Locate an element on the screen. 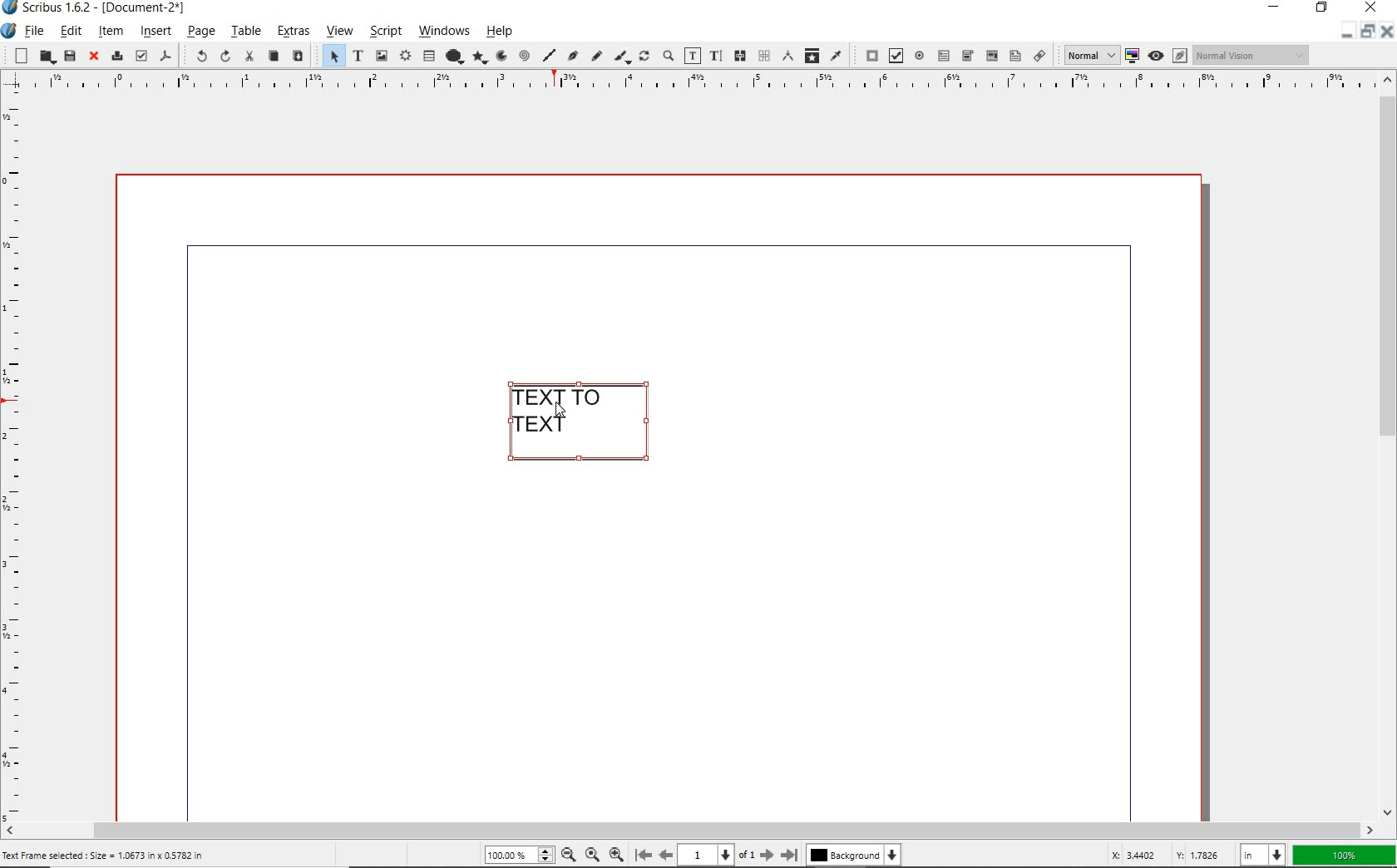 This screenshot has height=868, width=1397. current page is located at coordinates (720, 855).